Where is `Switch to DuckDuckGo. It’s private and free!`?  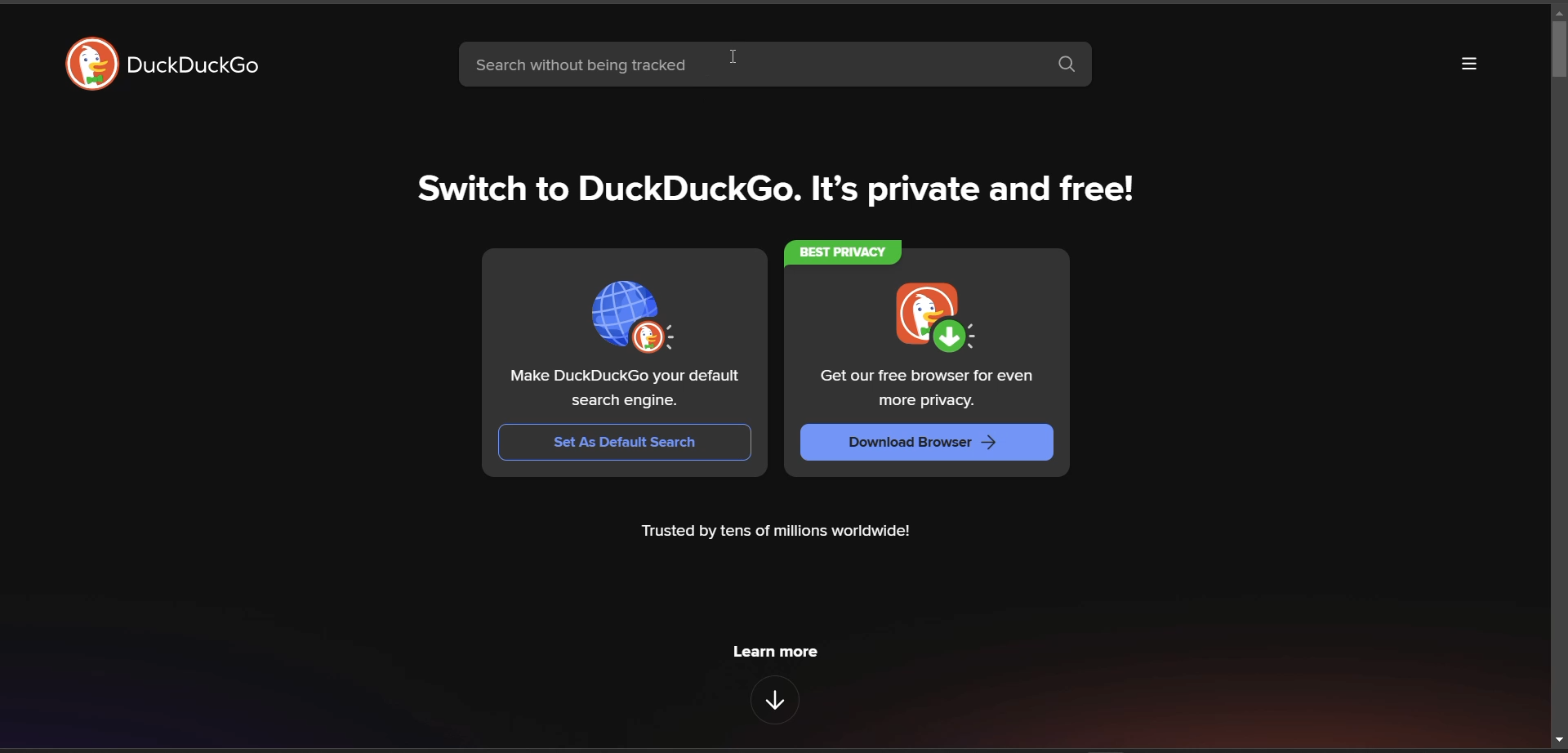
Switch to DuckDuckGo. It’s private and free! is located at coordinates (778, 189).